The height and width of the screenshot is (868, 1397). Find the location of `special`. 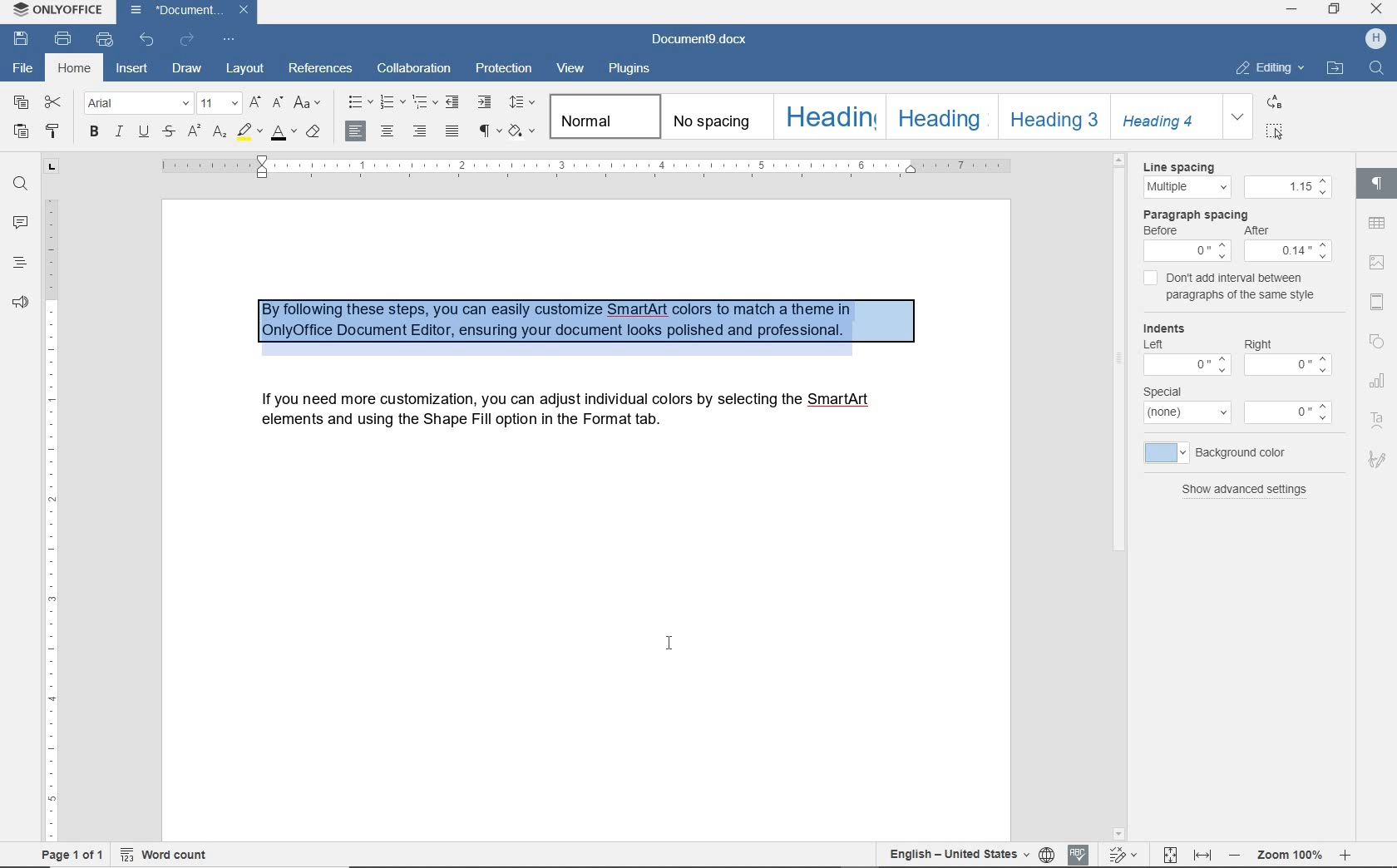

special is located at coordinates (1170, 392).